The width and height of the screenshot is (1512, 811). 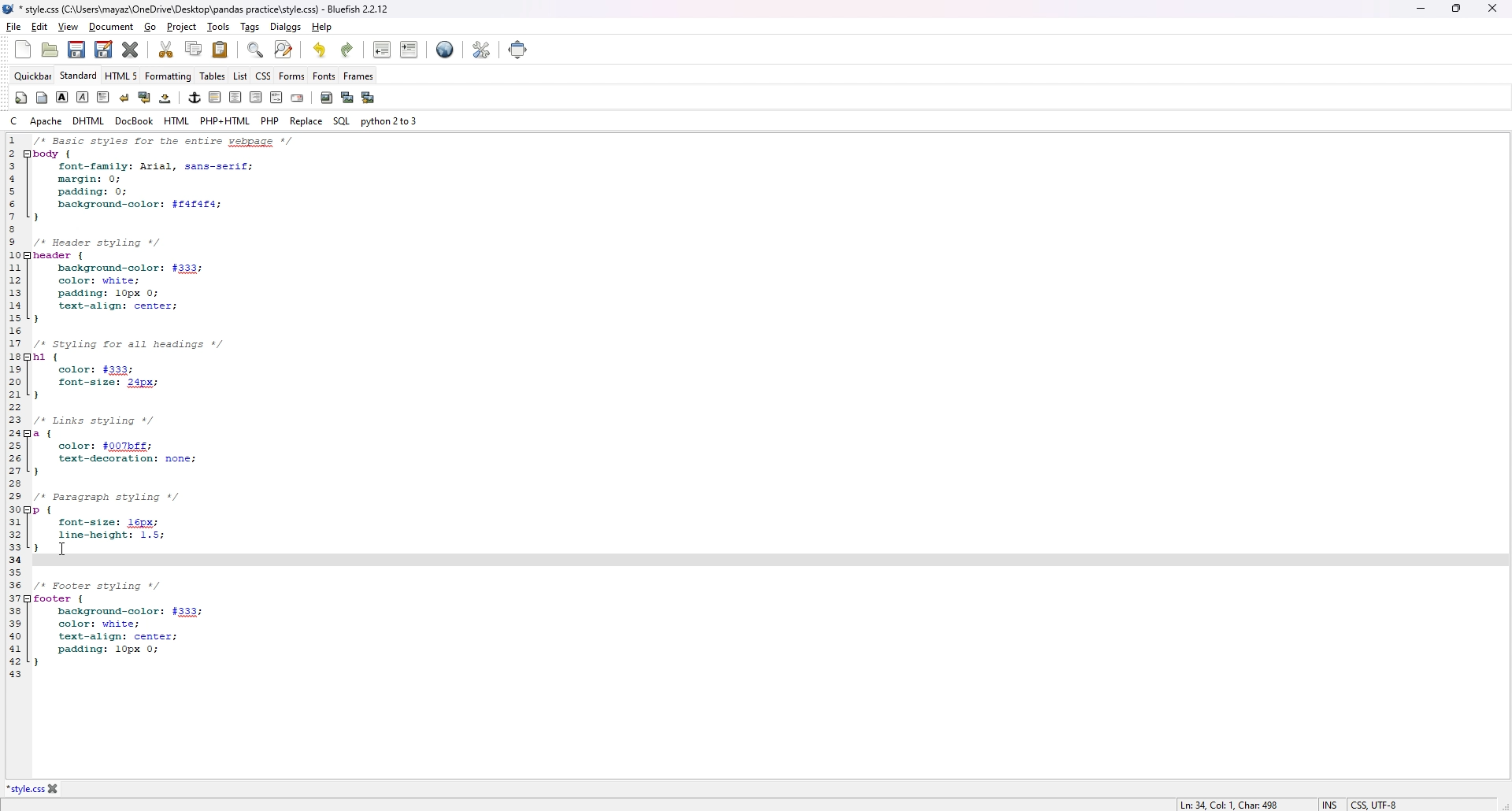 I want to click on 34, so click(x=128, y=559).